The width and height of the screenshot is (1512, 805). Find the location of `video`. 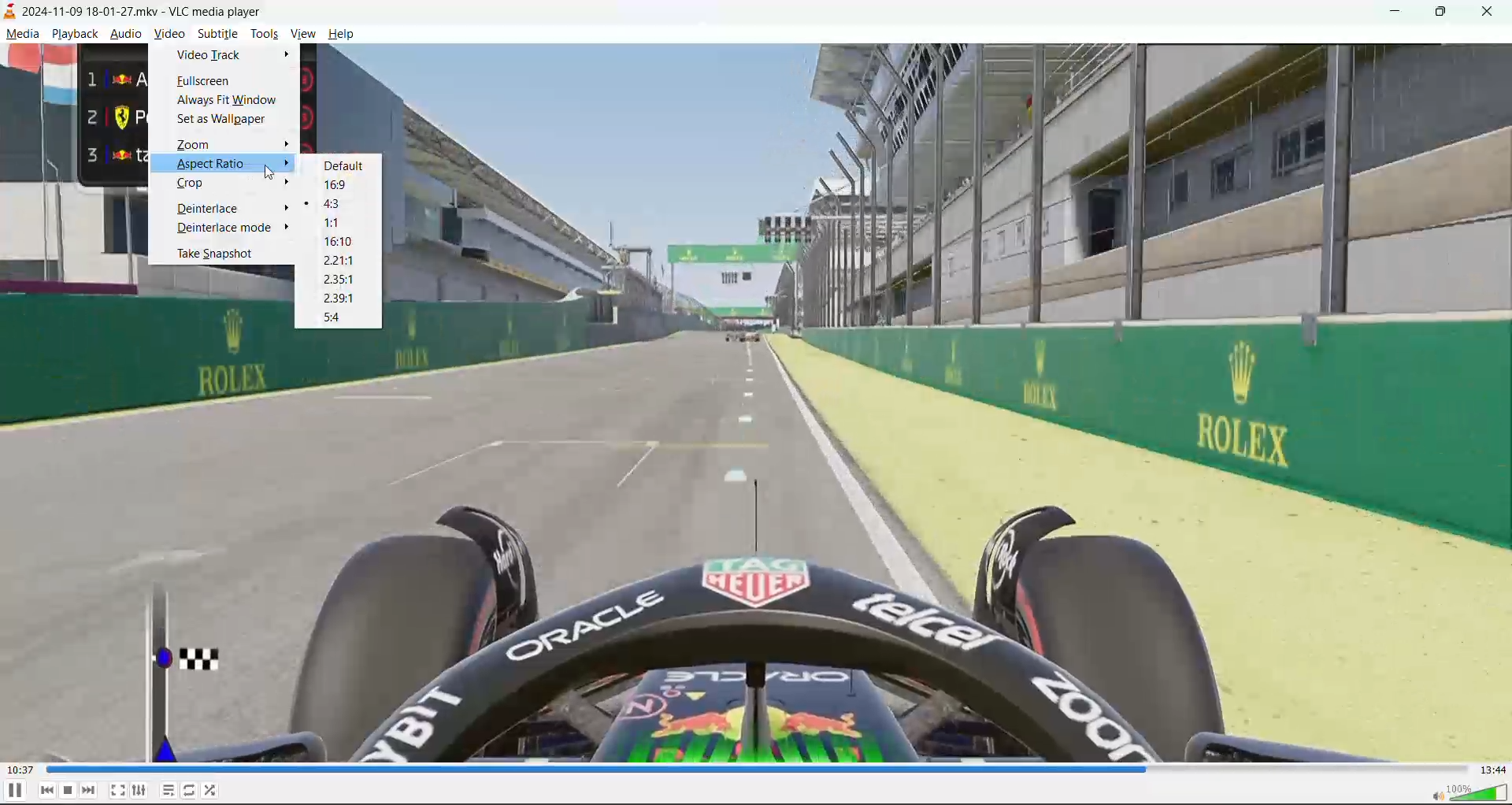

video is located at coordinates (169, 35).